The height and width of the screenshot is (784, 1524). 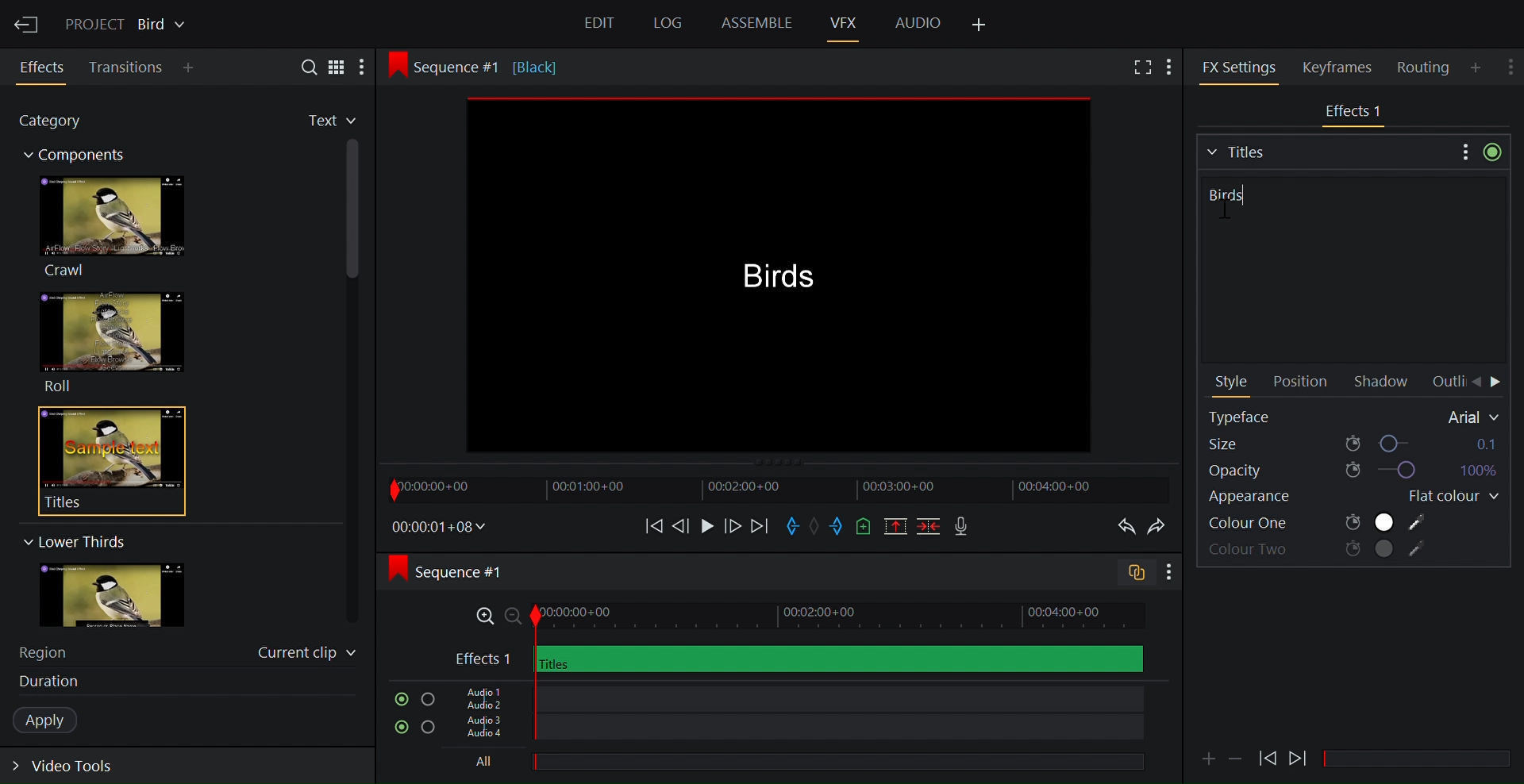 I want to click on Zoom Timeline, so click(x=799, y=617).